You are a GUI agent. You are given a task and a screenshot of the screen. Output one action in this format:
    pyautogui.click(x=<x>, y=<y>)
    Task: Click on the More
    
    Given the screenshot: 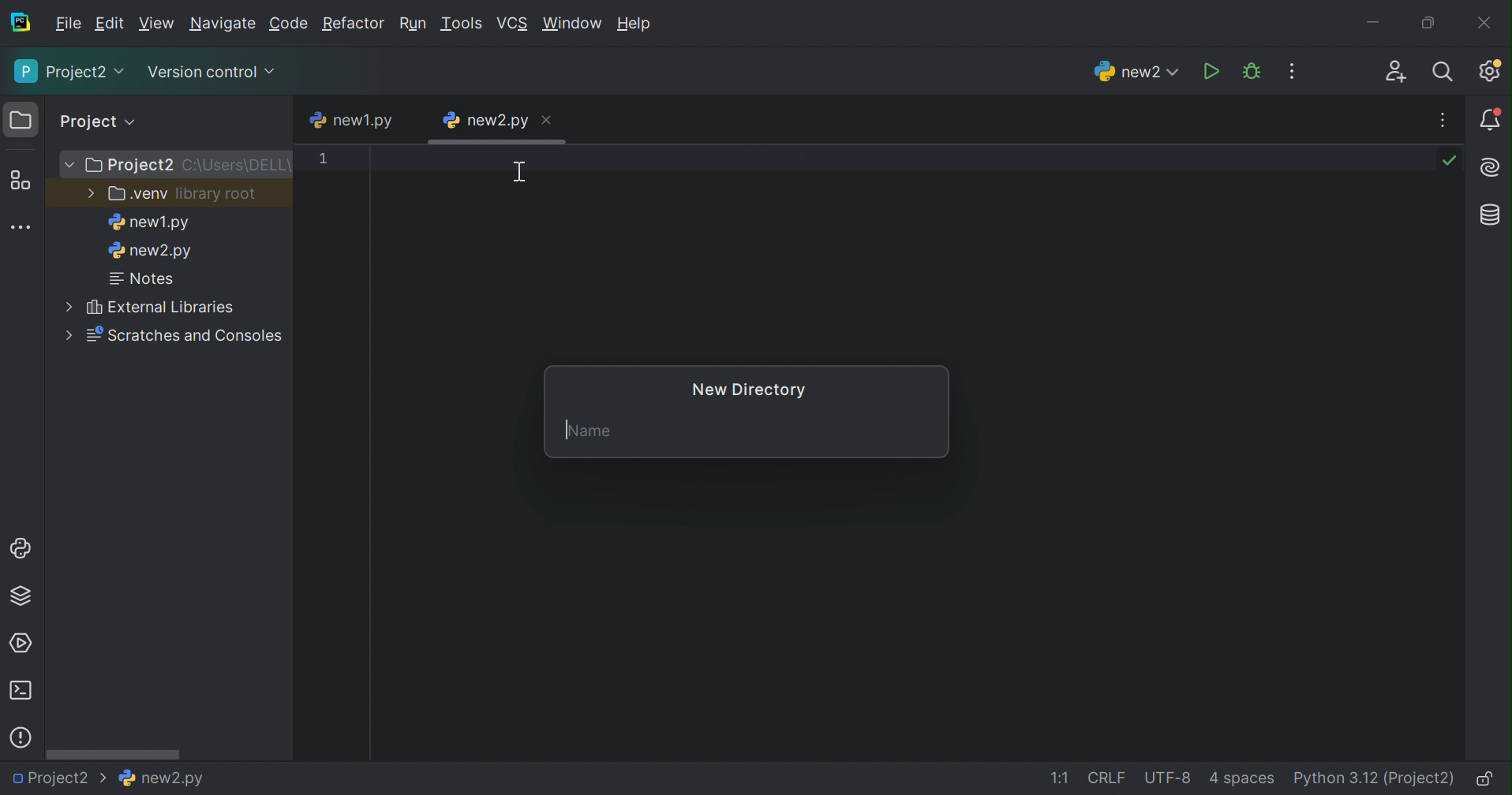 What is the action you would take?
    pyautogui.click(x=69, y=334)
    